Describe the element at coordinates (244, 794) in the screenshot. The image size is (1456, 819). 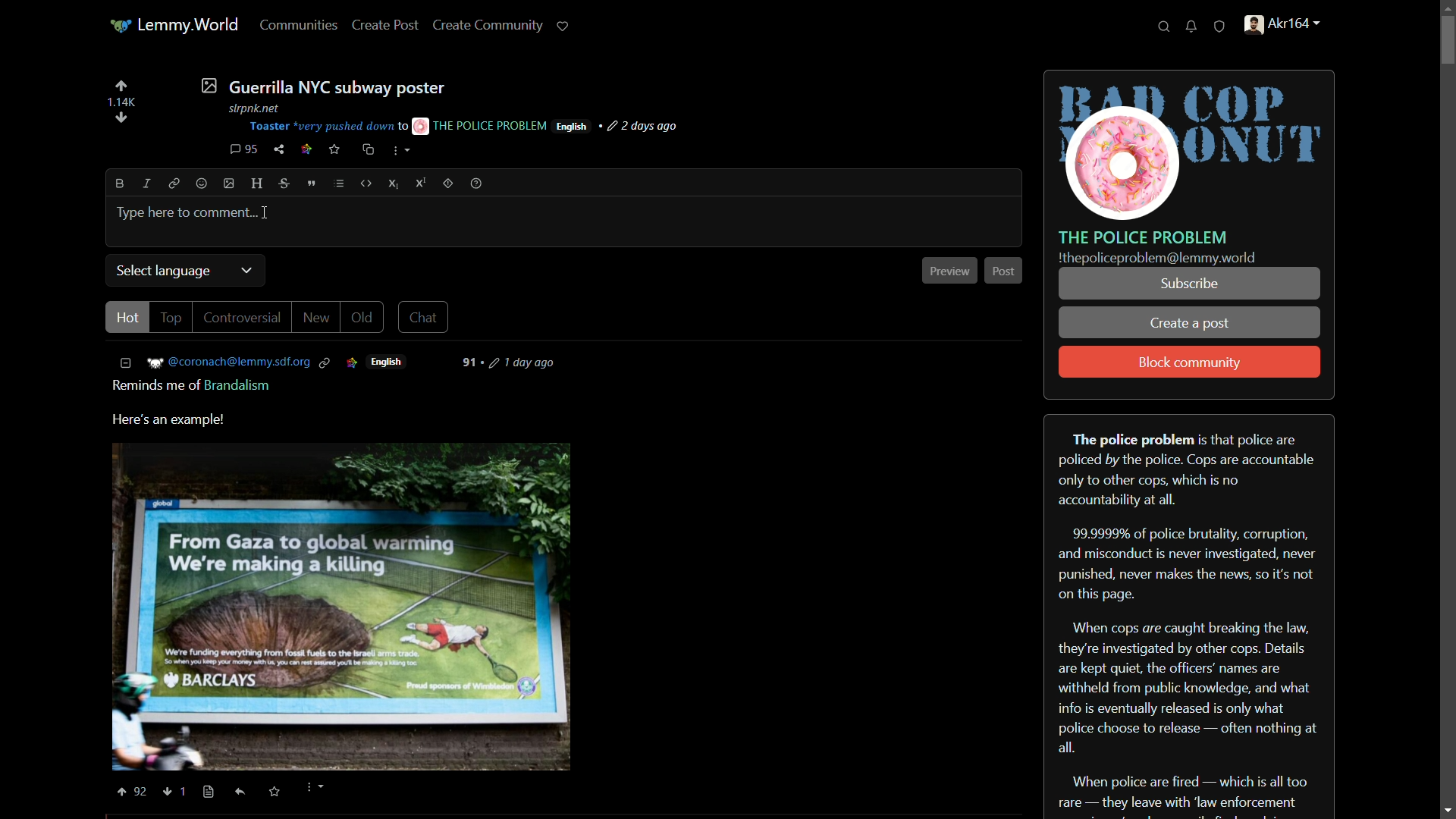
I see `reply` at that location.